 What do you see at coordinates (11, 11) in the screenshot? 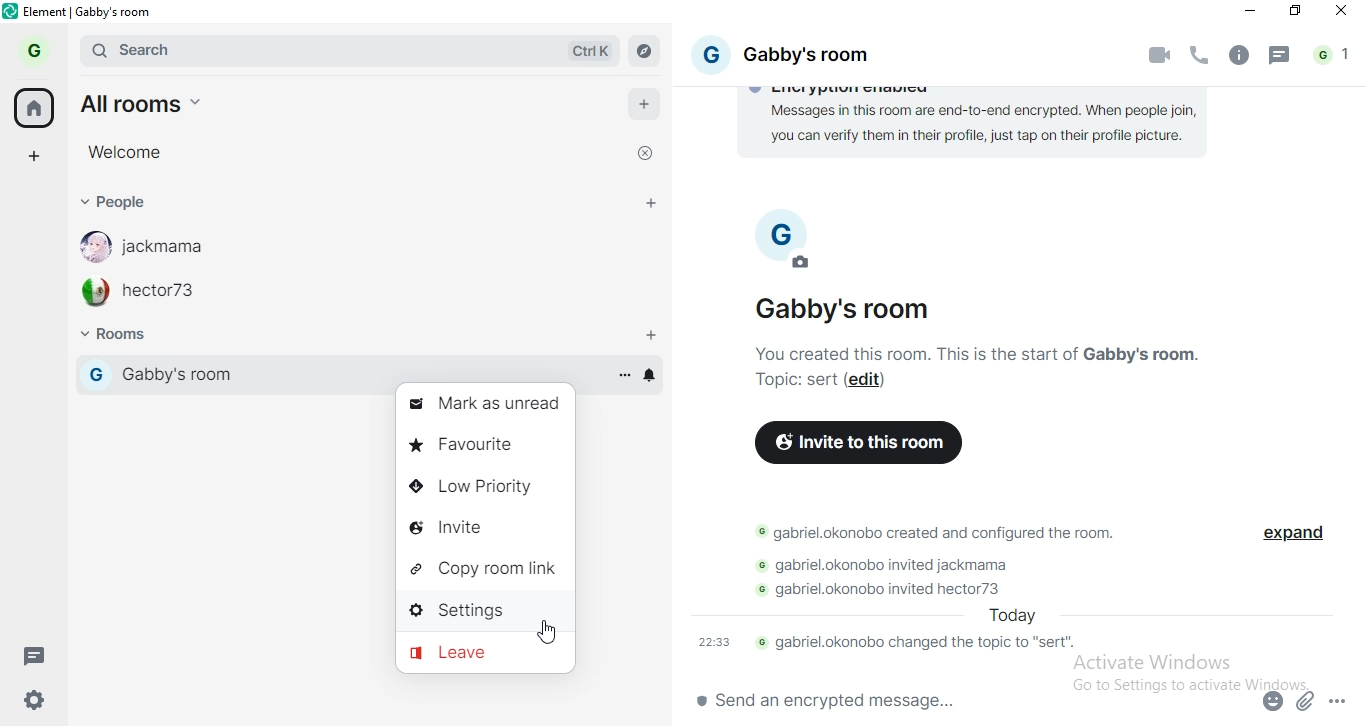
I see `element logo` at bounding box center [11, 11].